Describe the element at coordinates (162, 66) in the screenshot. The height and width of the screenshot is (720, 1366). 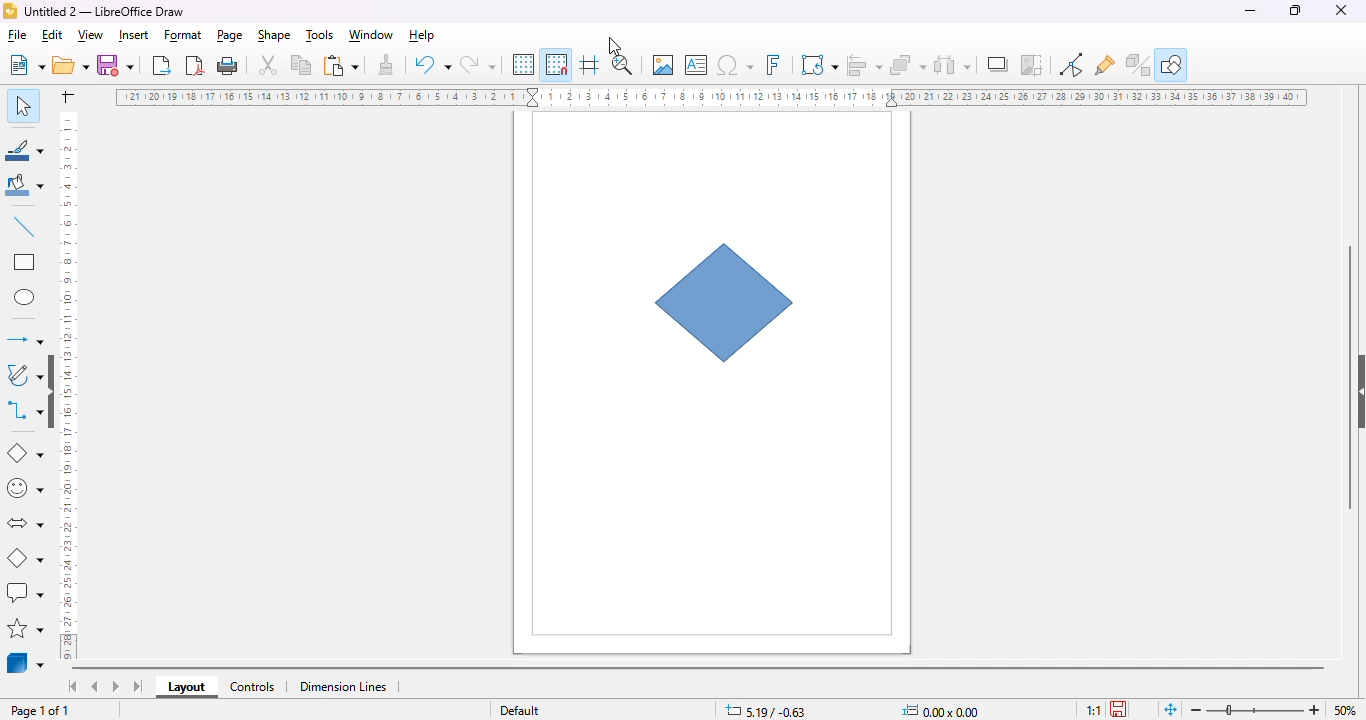
I see `export` at that location.